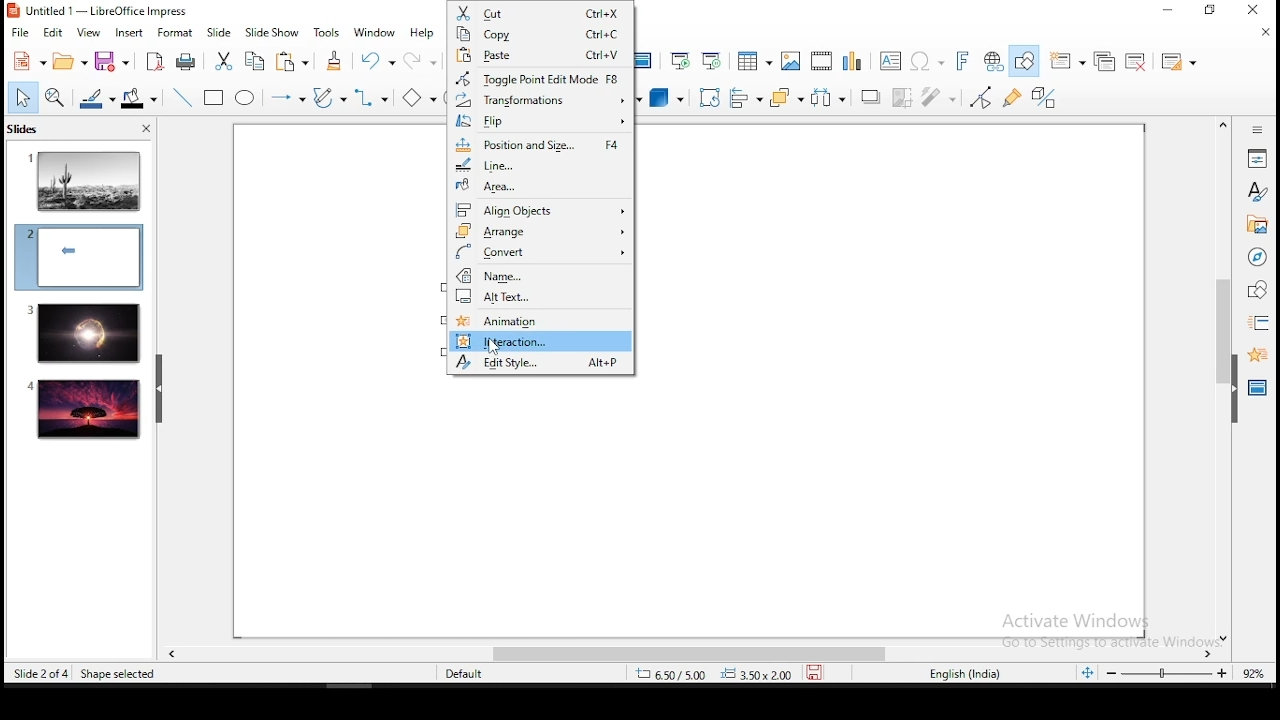 Image resolution: width=1280 pixels, height=720 pixels. I want to click on 3D objects, so click(664, 99).